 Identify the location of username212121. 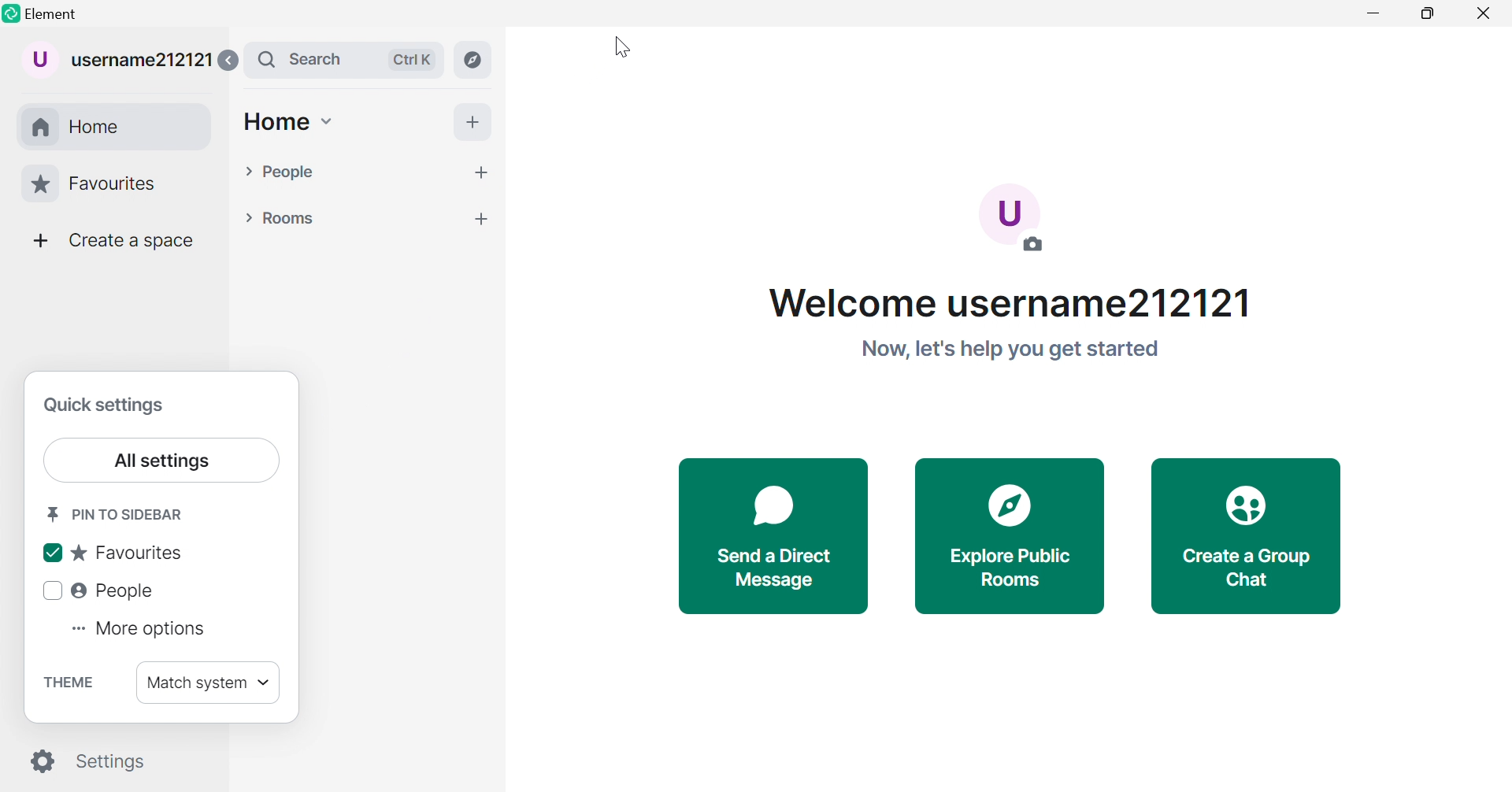
(118, 61).